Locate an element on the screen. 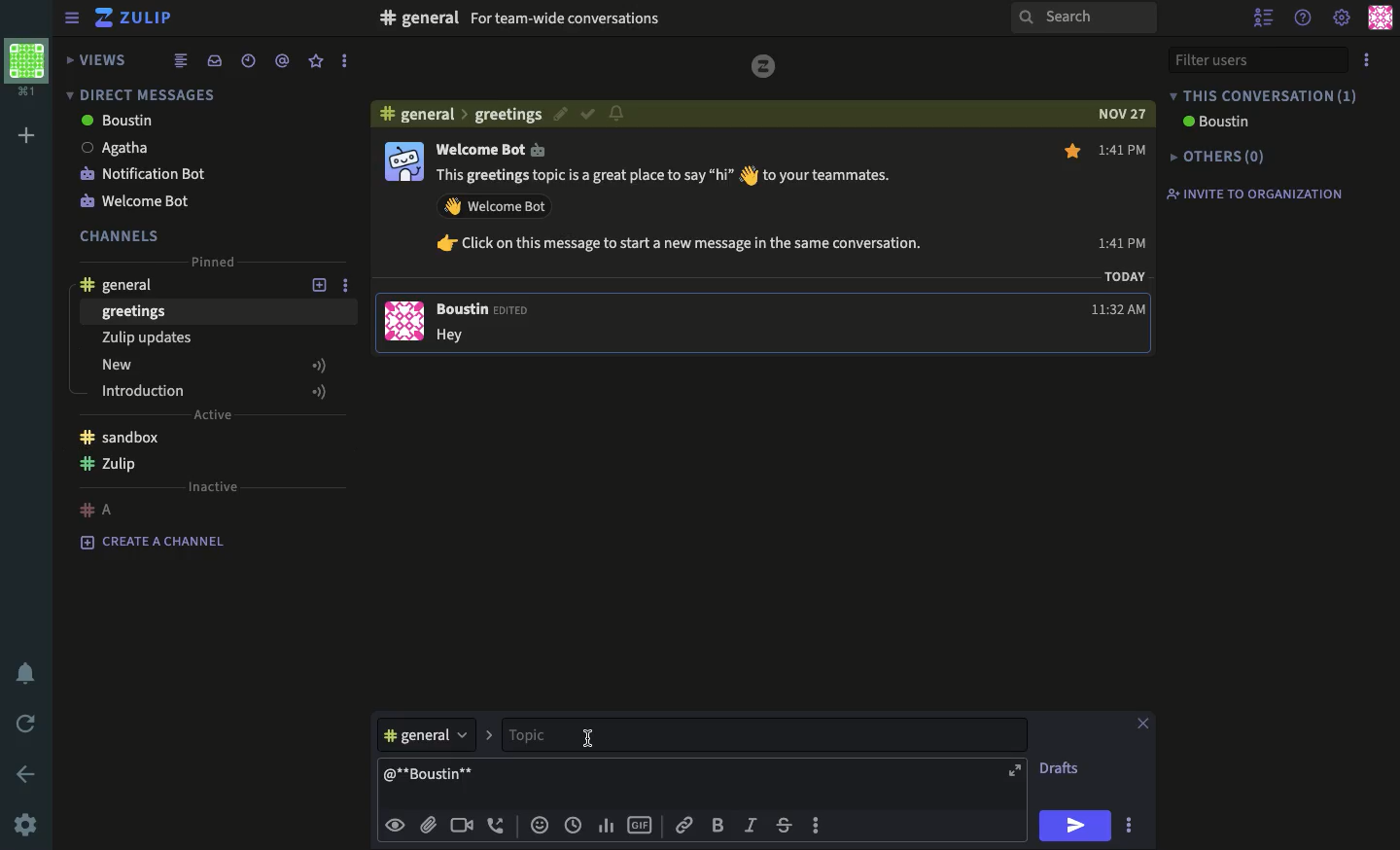 Image resolution: width=1400 pixels, height=850 pixels. filter users is located at coordinates (1256, 60).